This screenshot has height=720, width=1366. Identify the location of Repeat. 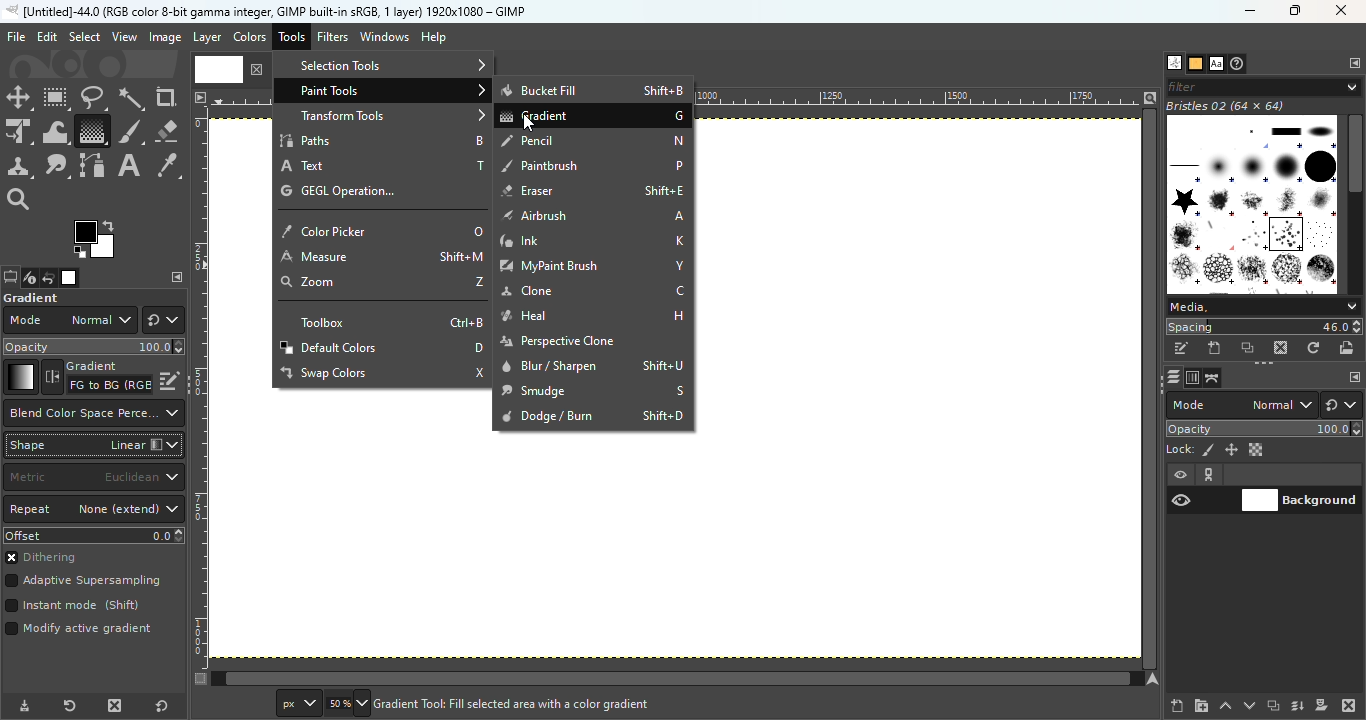
(94, 510).